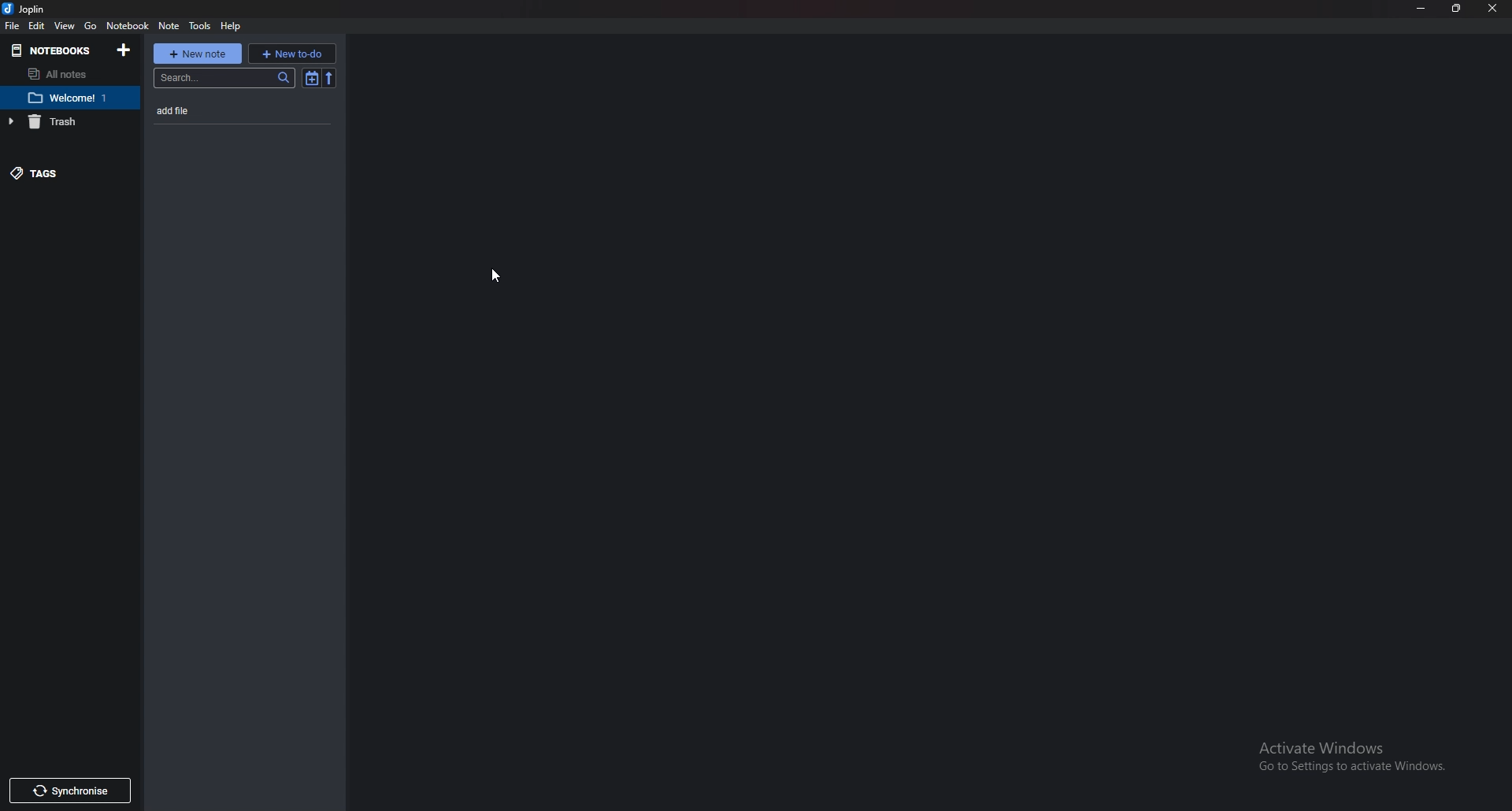 Image resolution: width=1512 pixels, height=811 pixels. I want to click on Tags, so click(58, 172).